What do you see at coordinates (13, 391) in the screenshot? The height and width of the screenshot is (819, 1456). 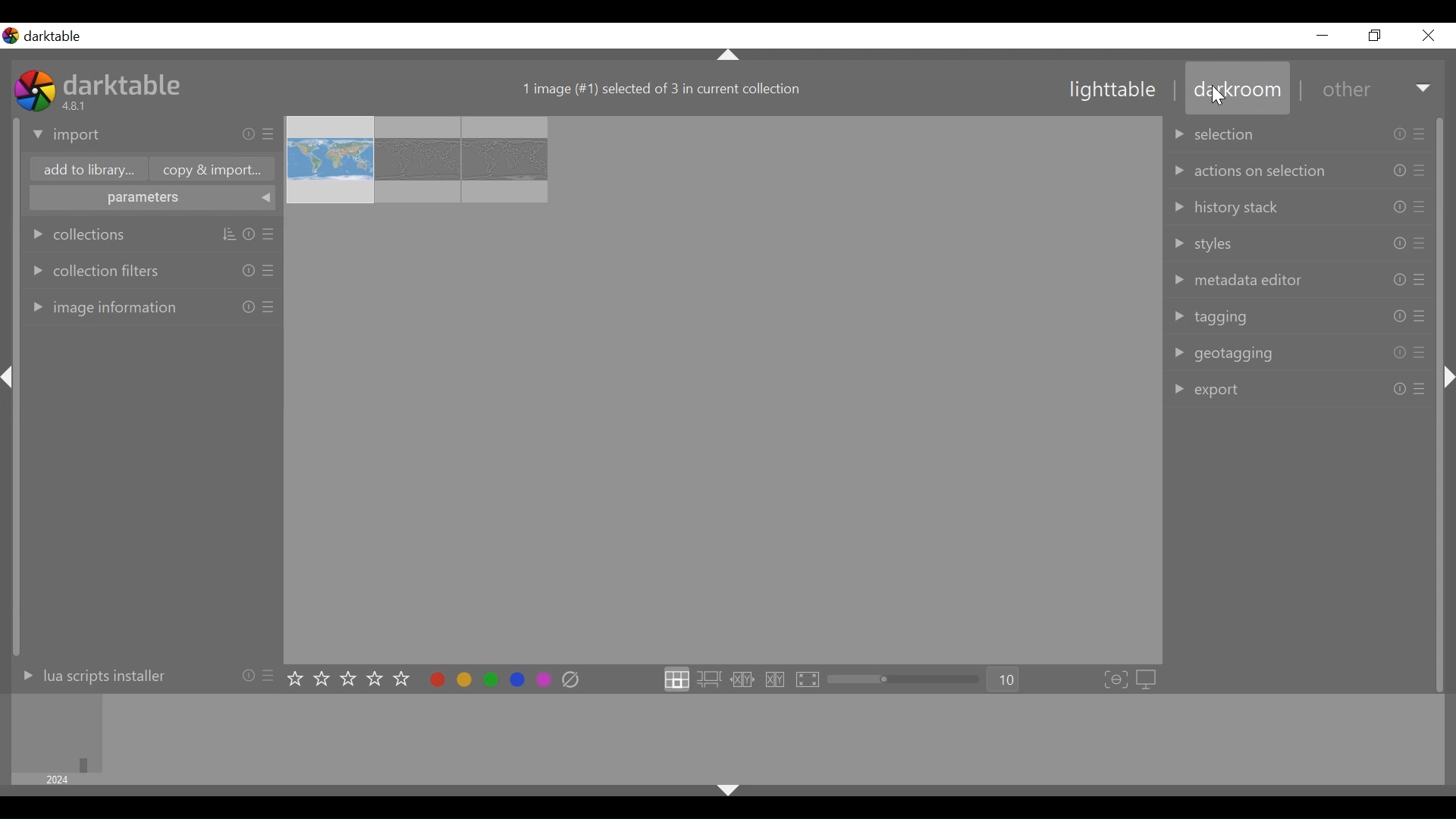 I see `` at bounding box center [13, 391].